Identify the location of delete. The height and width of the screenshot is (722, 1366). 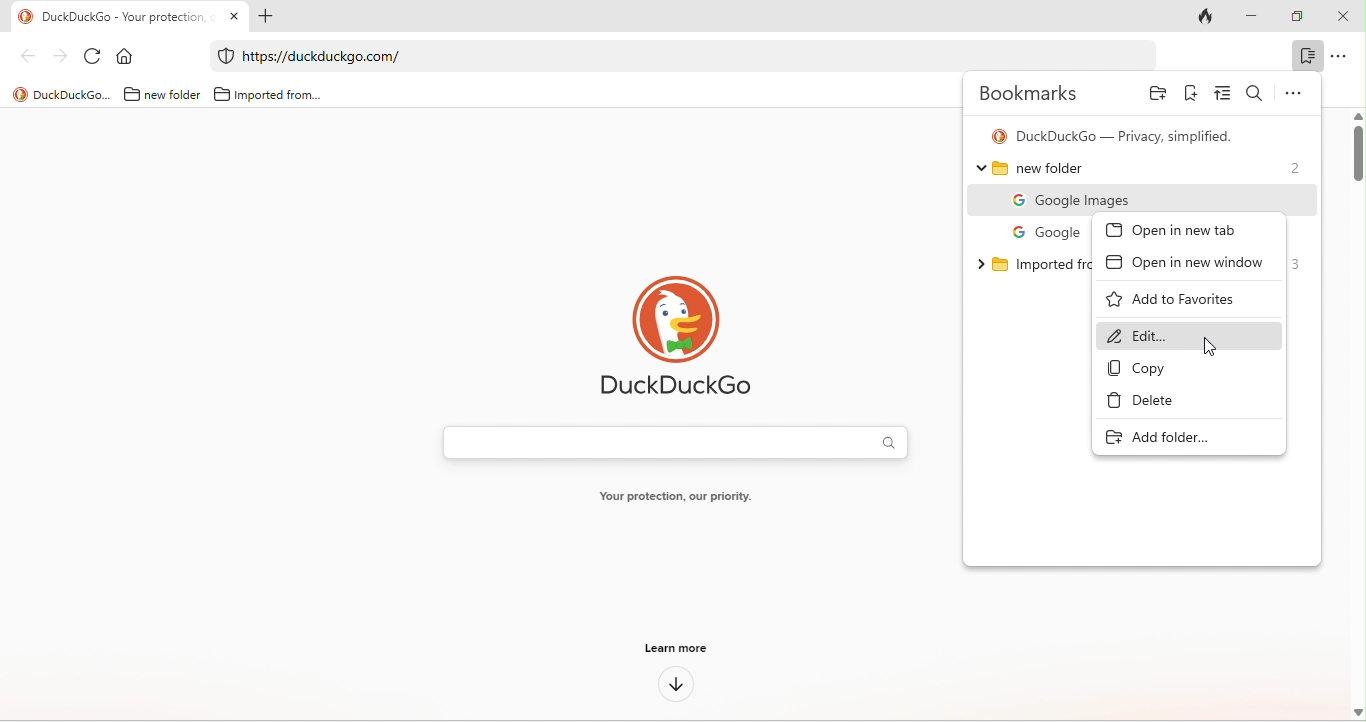
(1149, 402).